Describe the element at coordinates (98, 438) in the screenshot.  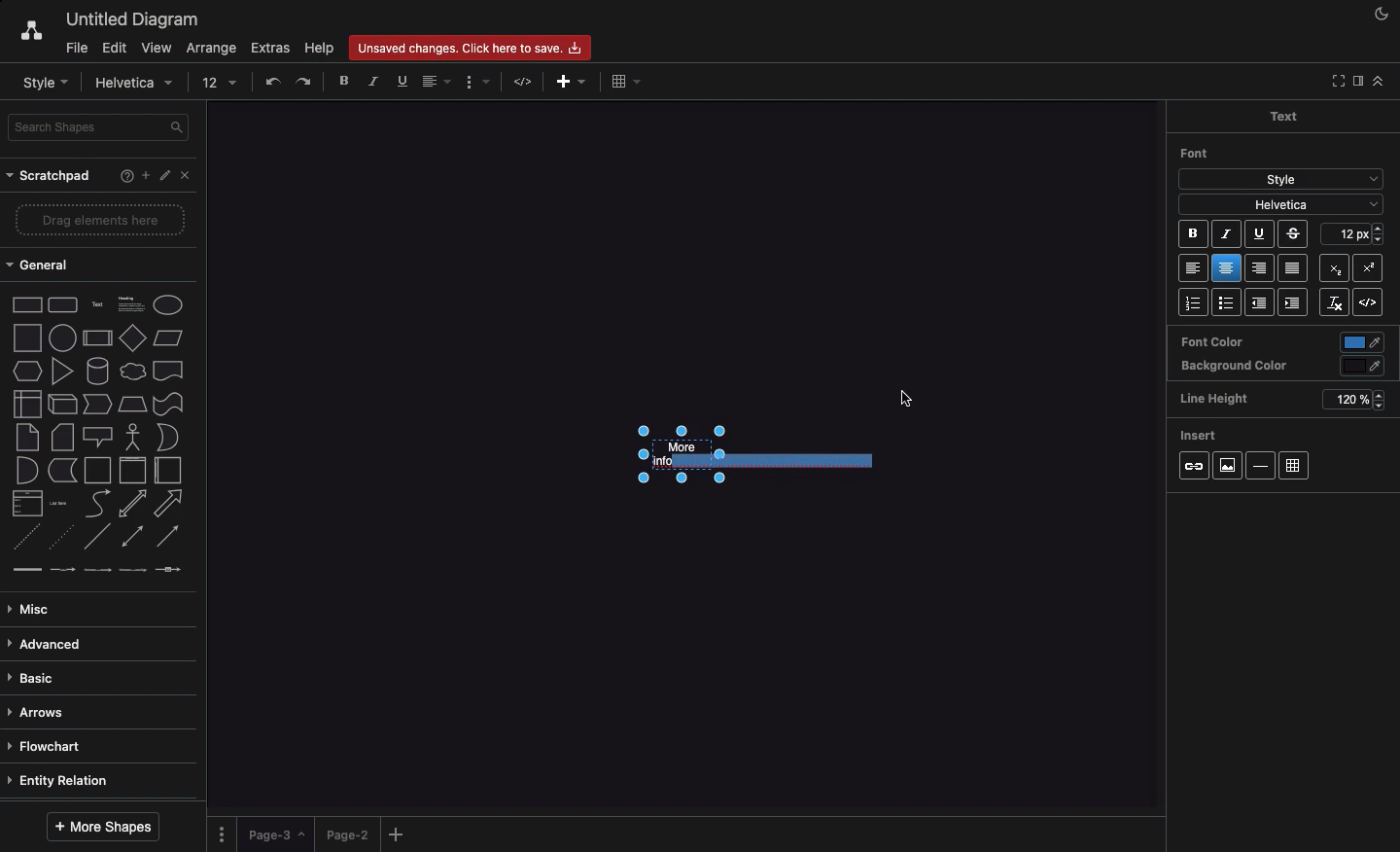
I see `callout` at that location.